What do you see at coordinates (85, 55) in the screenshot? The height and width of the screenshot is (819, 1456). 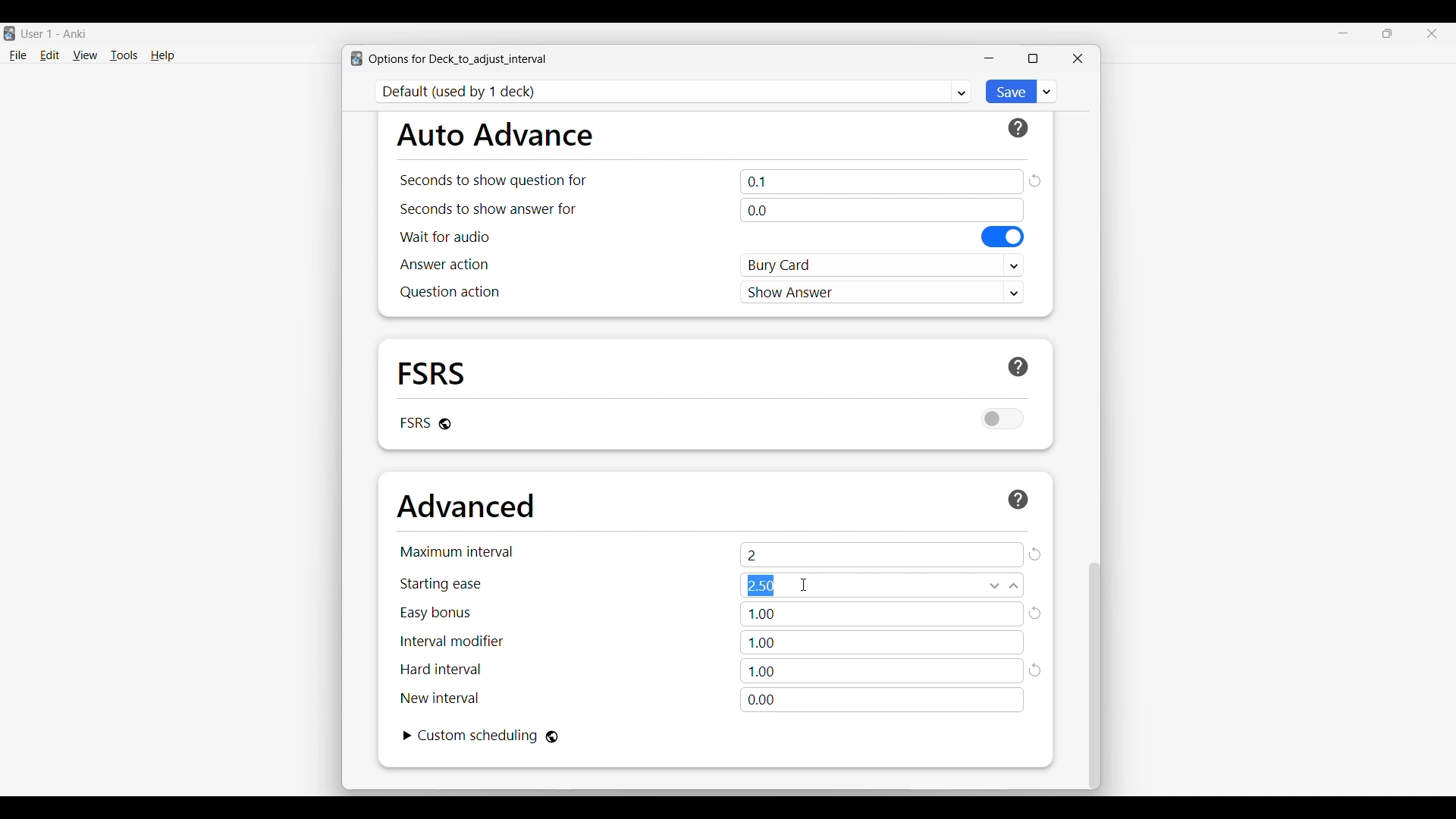 I see `View menu` at bounding box center [85, 55].